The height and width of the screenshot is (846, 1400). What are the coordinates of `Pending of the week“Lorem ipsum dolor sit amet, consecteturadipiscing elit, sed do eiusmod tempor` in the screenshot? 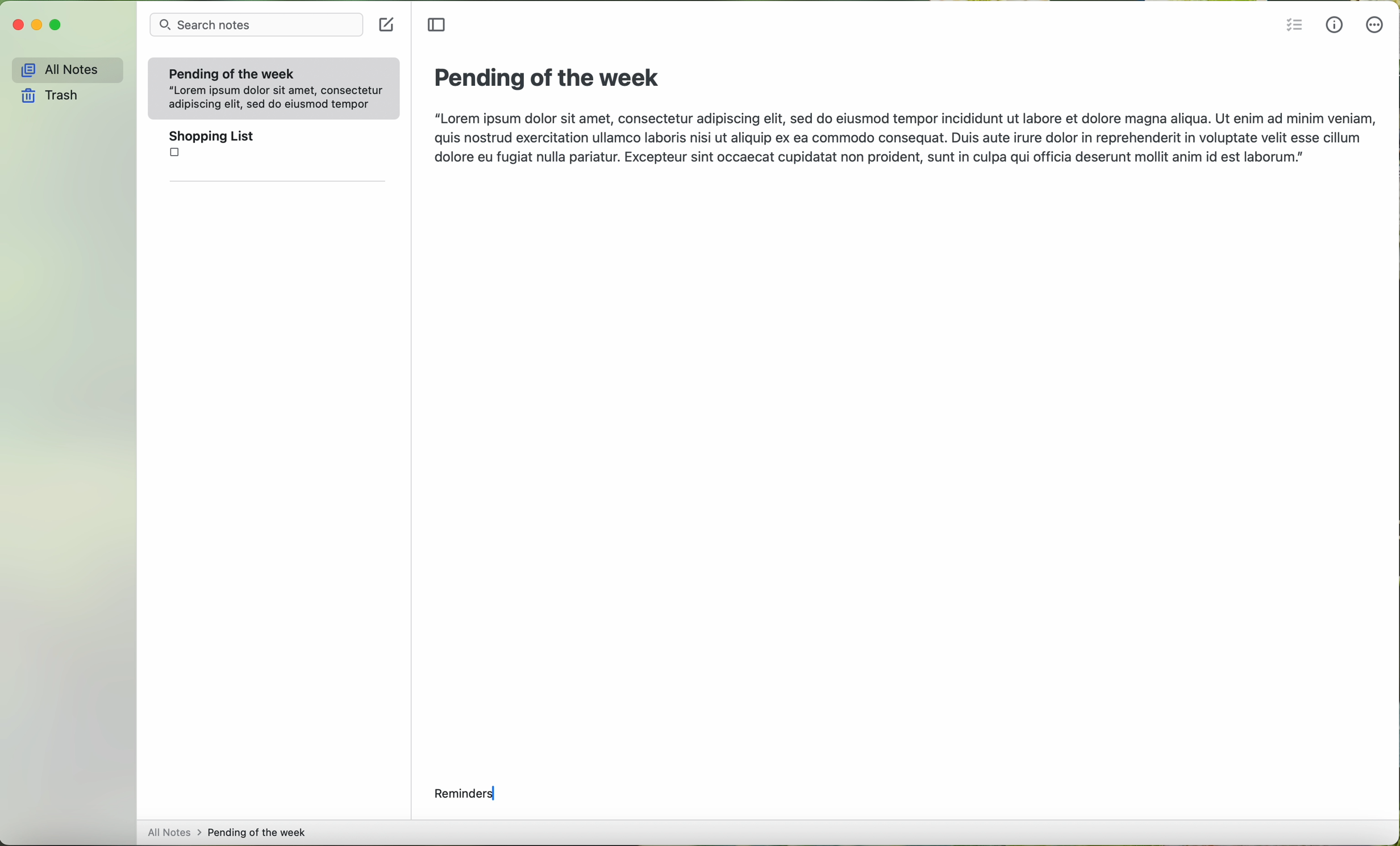 It's located at (273, 86).